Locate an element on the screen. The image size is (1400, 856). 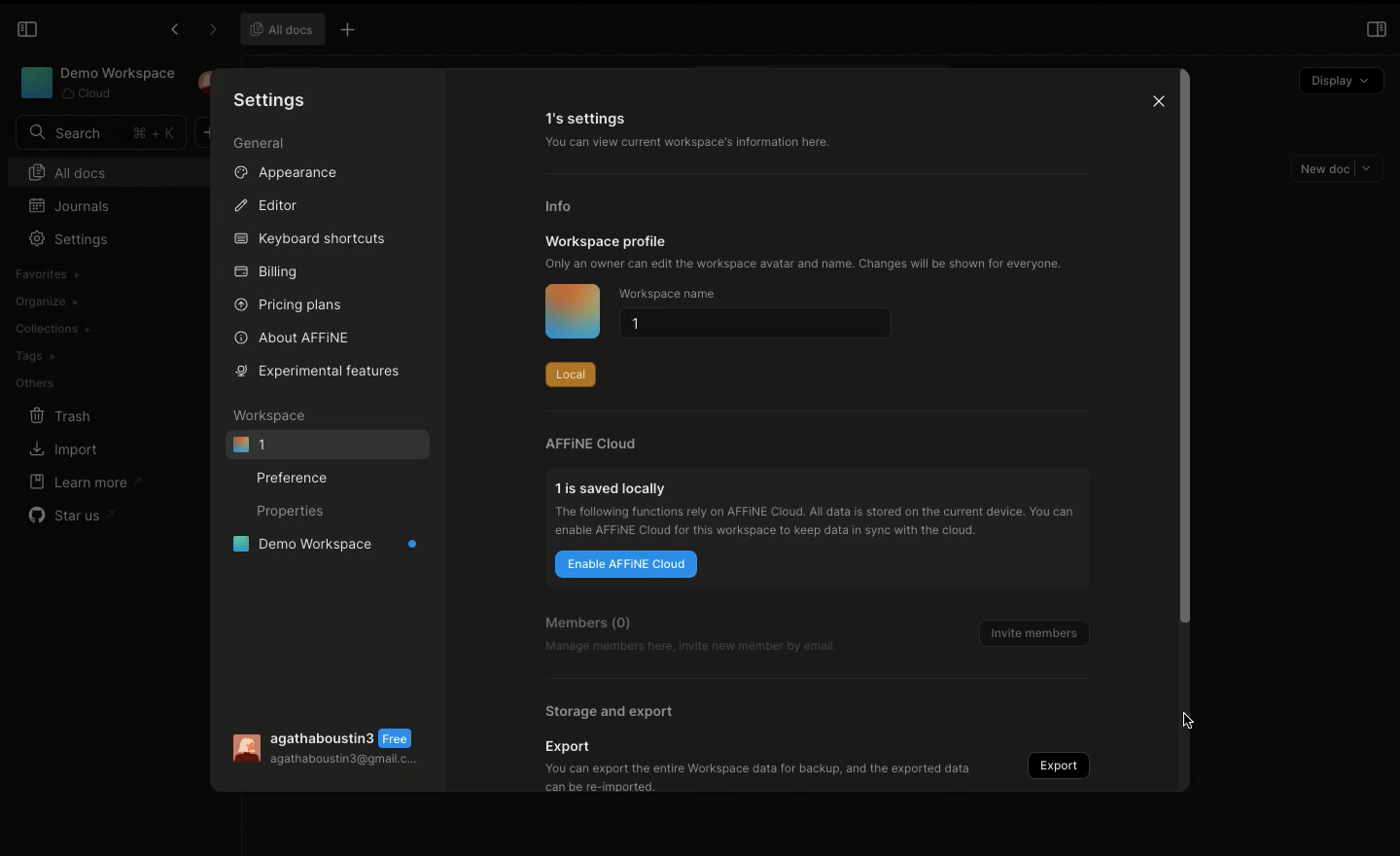
General is located at coordinates (260, 144).